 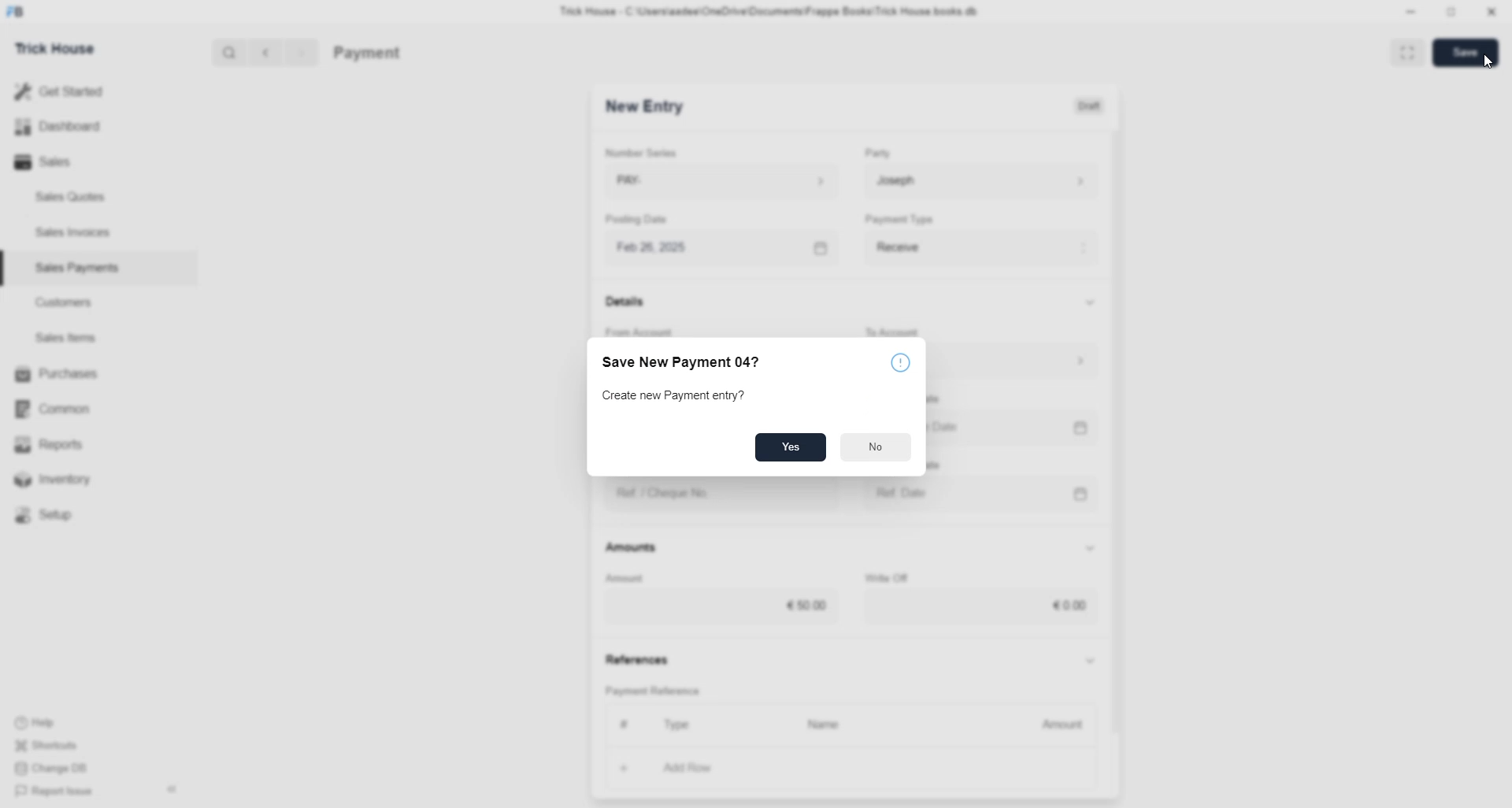 I want to click on Payment Reference, so click(x=656, y=689).